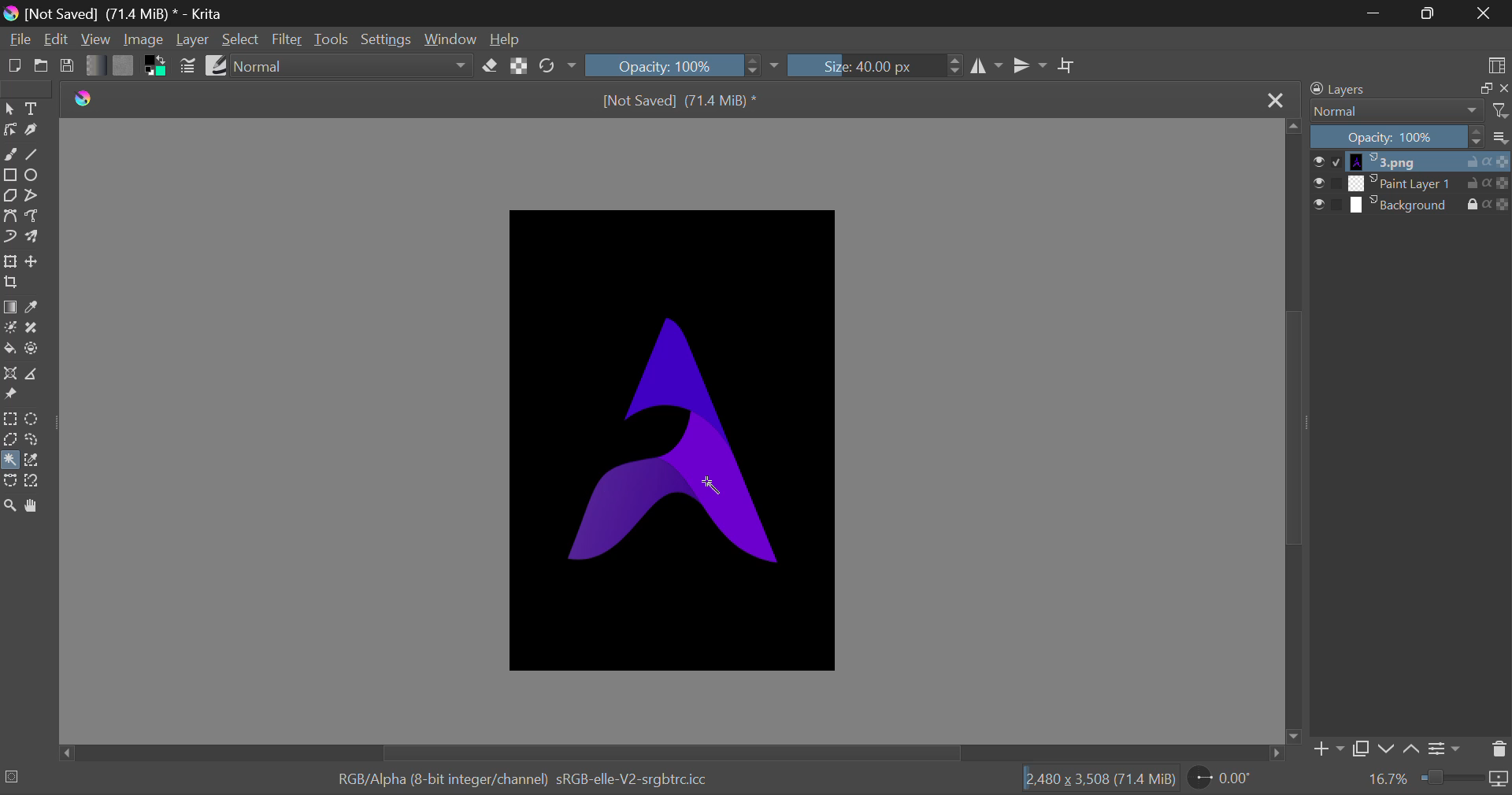  I want to click on checkbox, so click(1328, 162).